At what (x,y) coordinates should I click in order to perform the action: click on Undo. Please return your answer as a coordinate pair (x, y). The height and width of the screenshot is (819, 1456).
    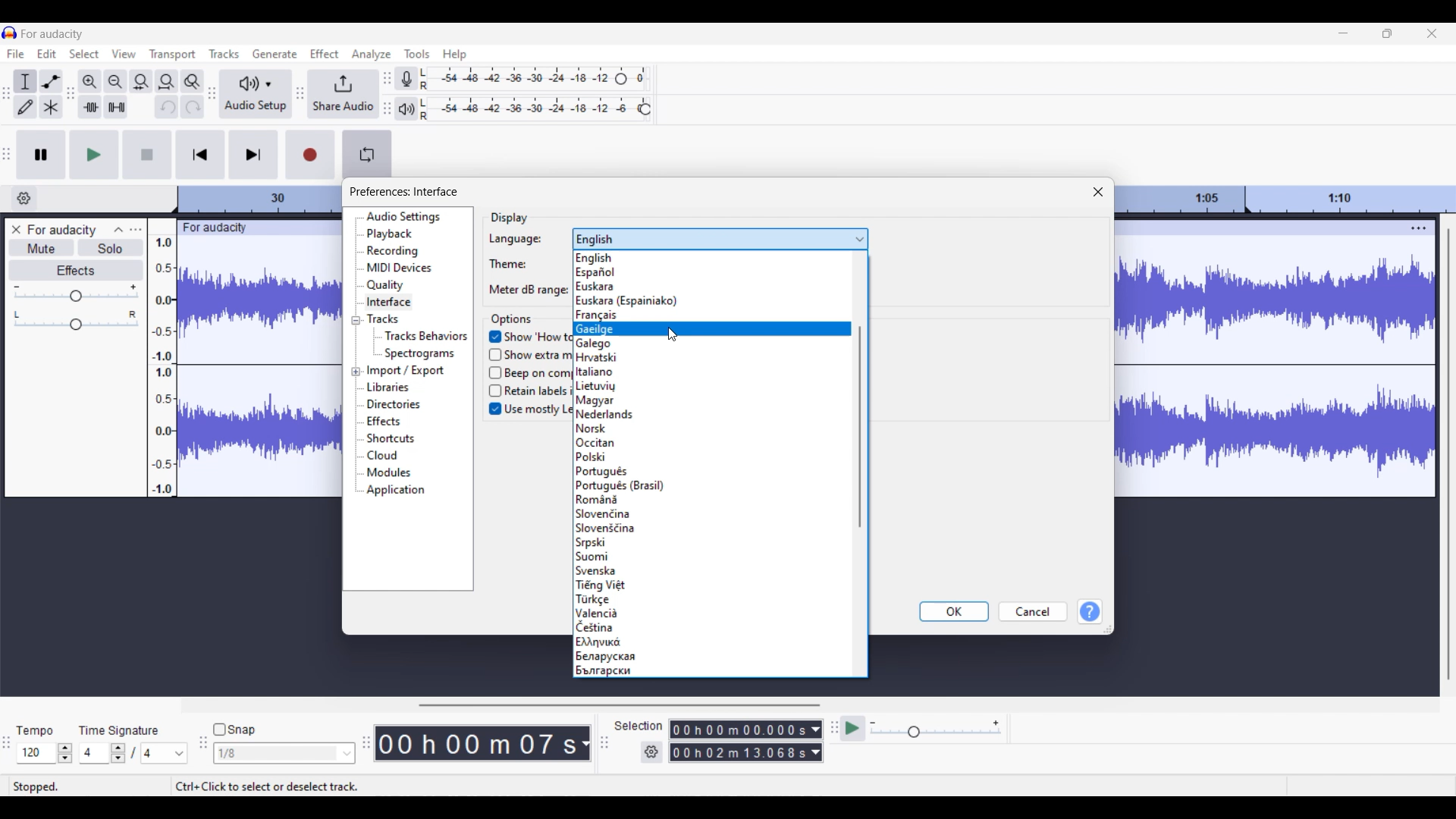
    Looking at the image, I should click on (166, 106).